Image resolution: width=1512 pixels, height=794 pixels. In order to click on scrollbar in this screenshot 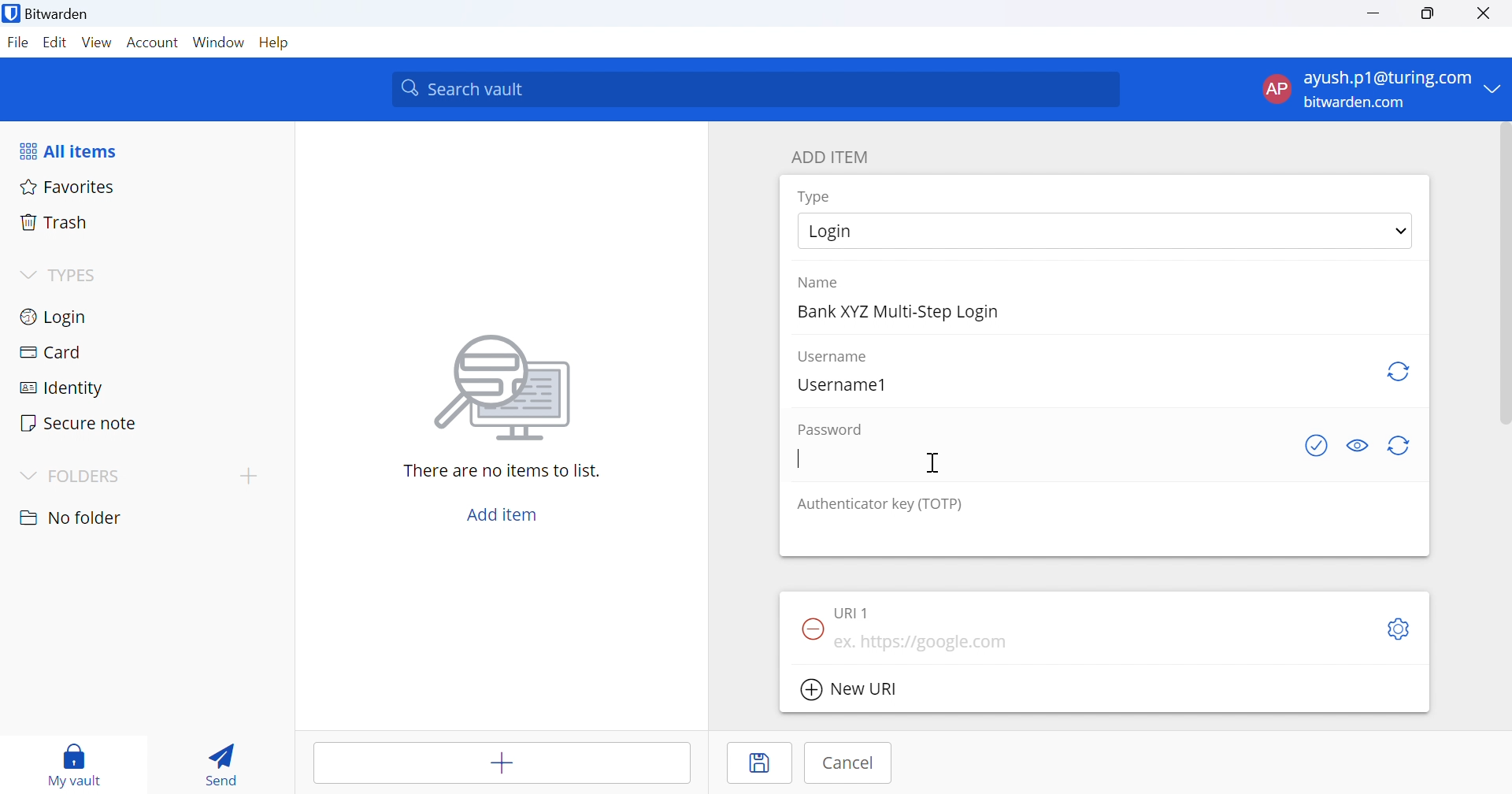, I will do `click(1503, 276)`.